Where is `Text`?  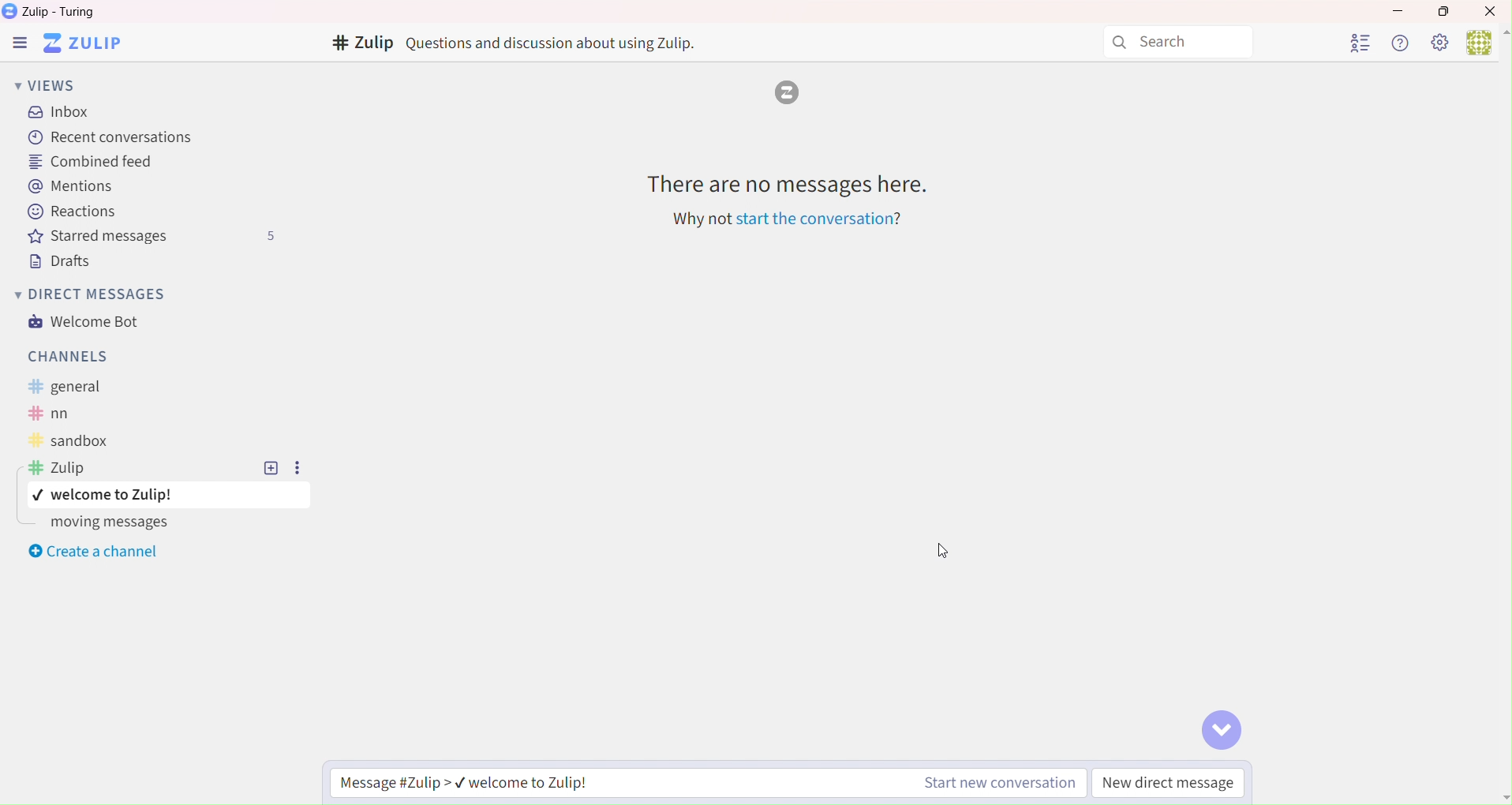 Text is located at coordinates (702, 219).